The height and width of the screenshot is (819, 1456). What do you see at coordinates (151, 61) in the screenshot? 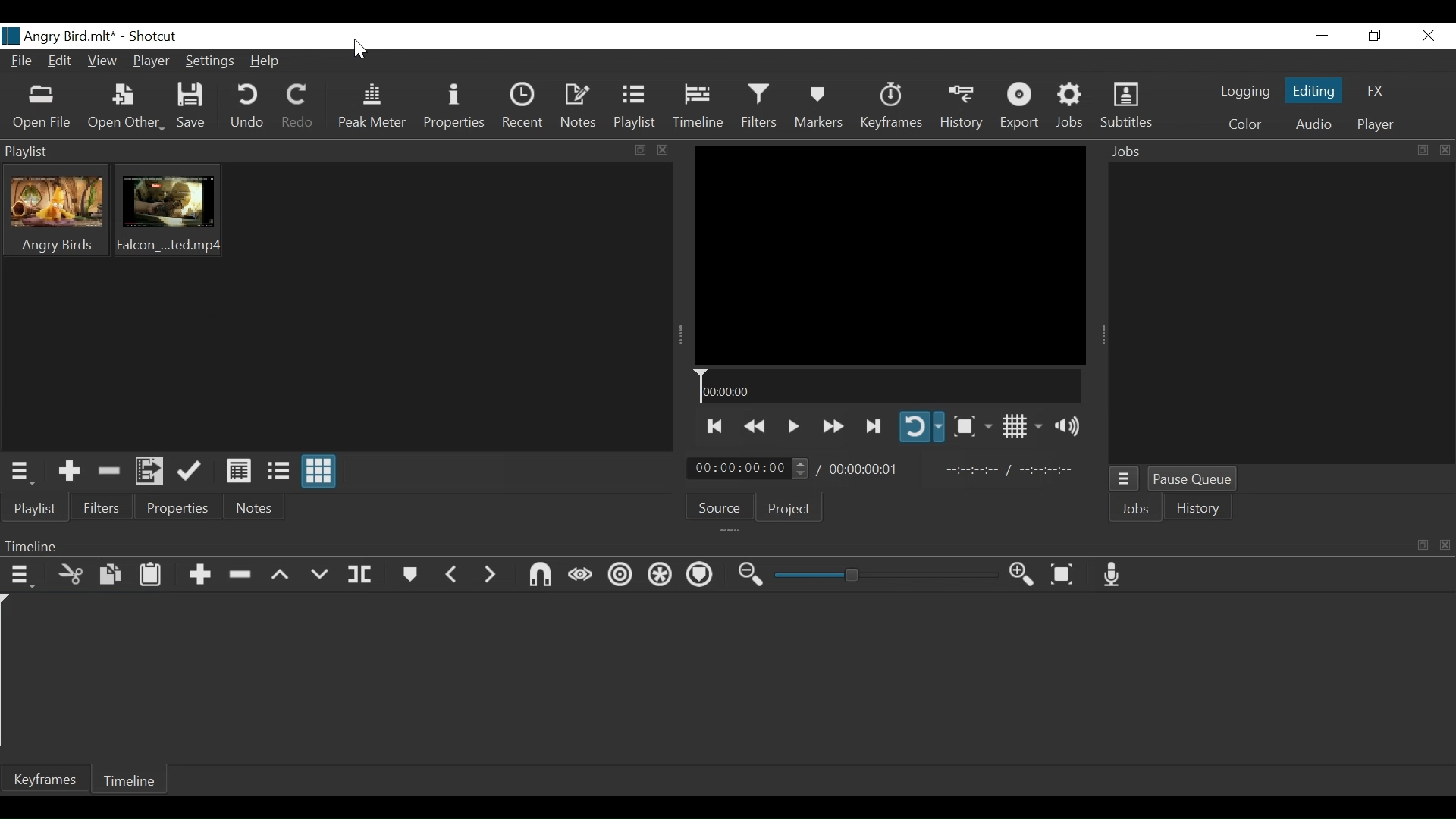
I see `Player` at bounding box center [151, 61].